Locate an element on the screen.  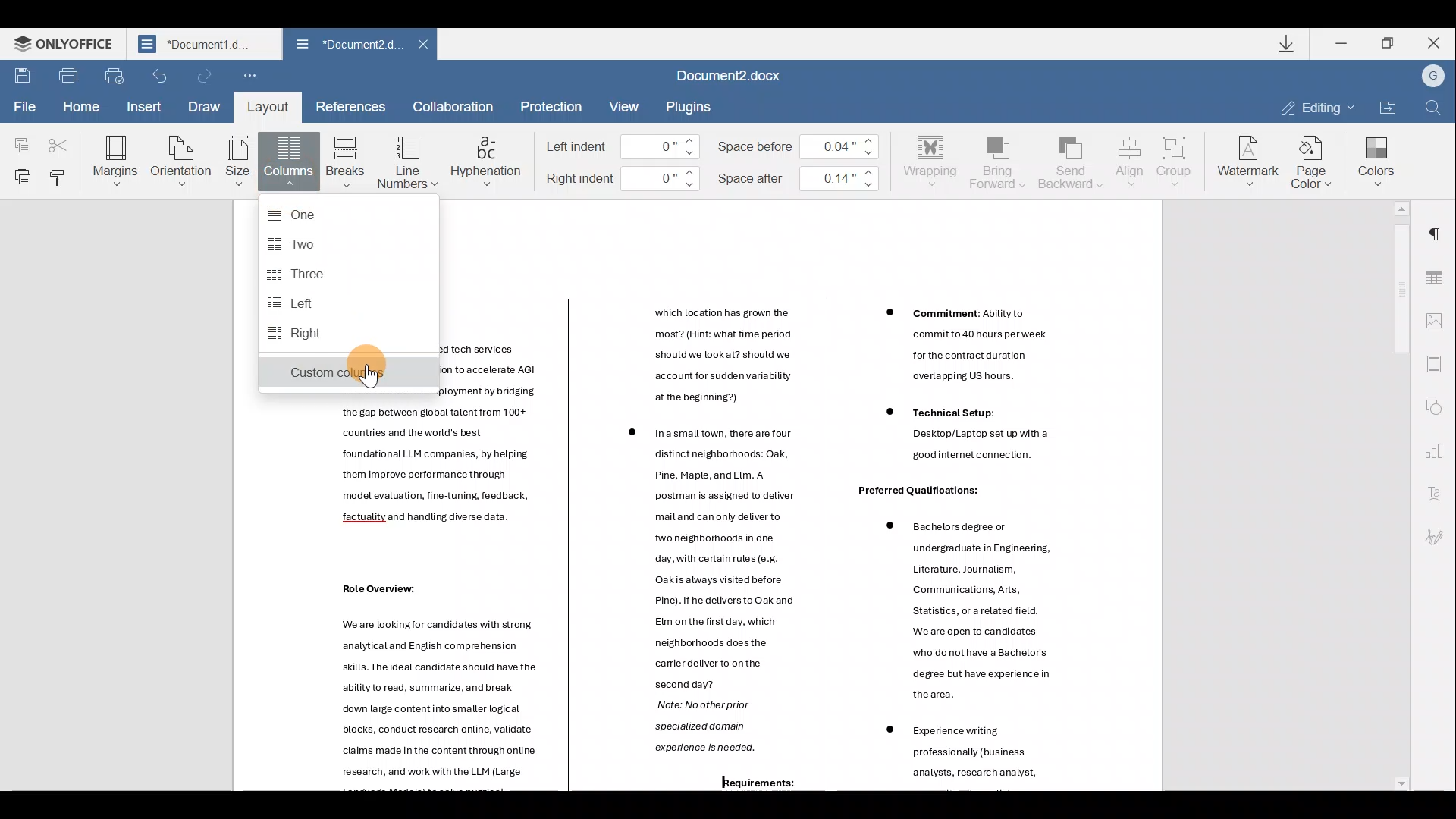
 is located at coordinates (368, 588).